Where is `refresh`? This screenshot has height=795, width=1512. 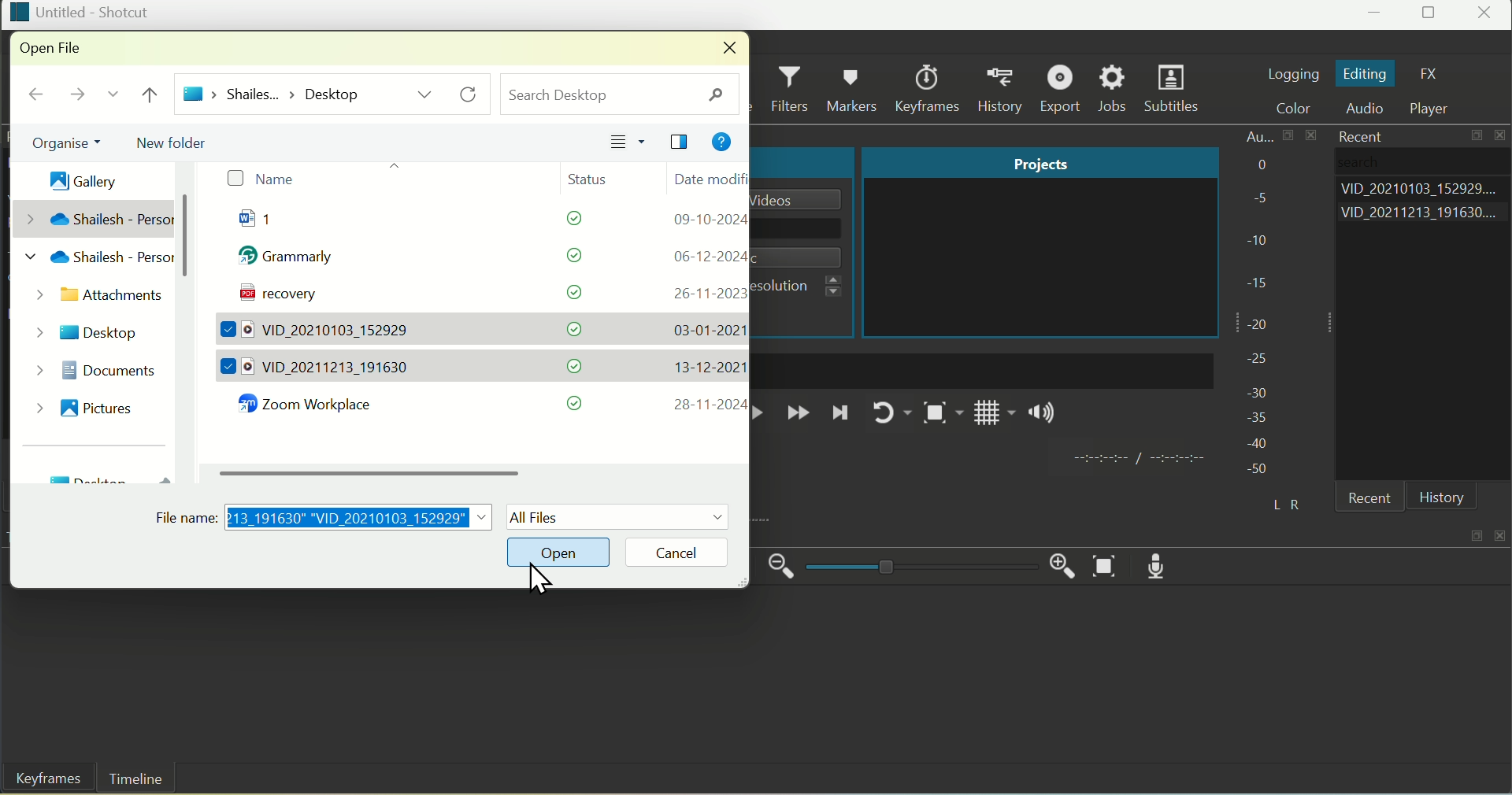 refresh is located at coordinates (472, 94).